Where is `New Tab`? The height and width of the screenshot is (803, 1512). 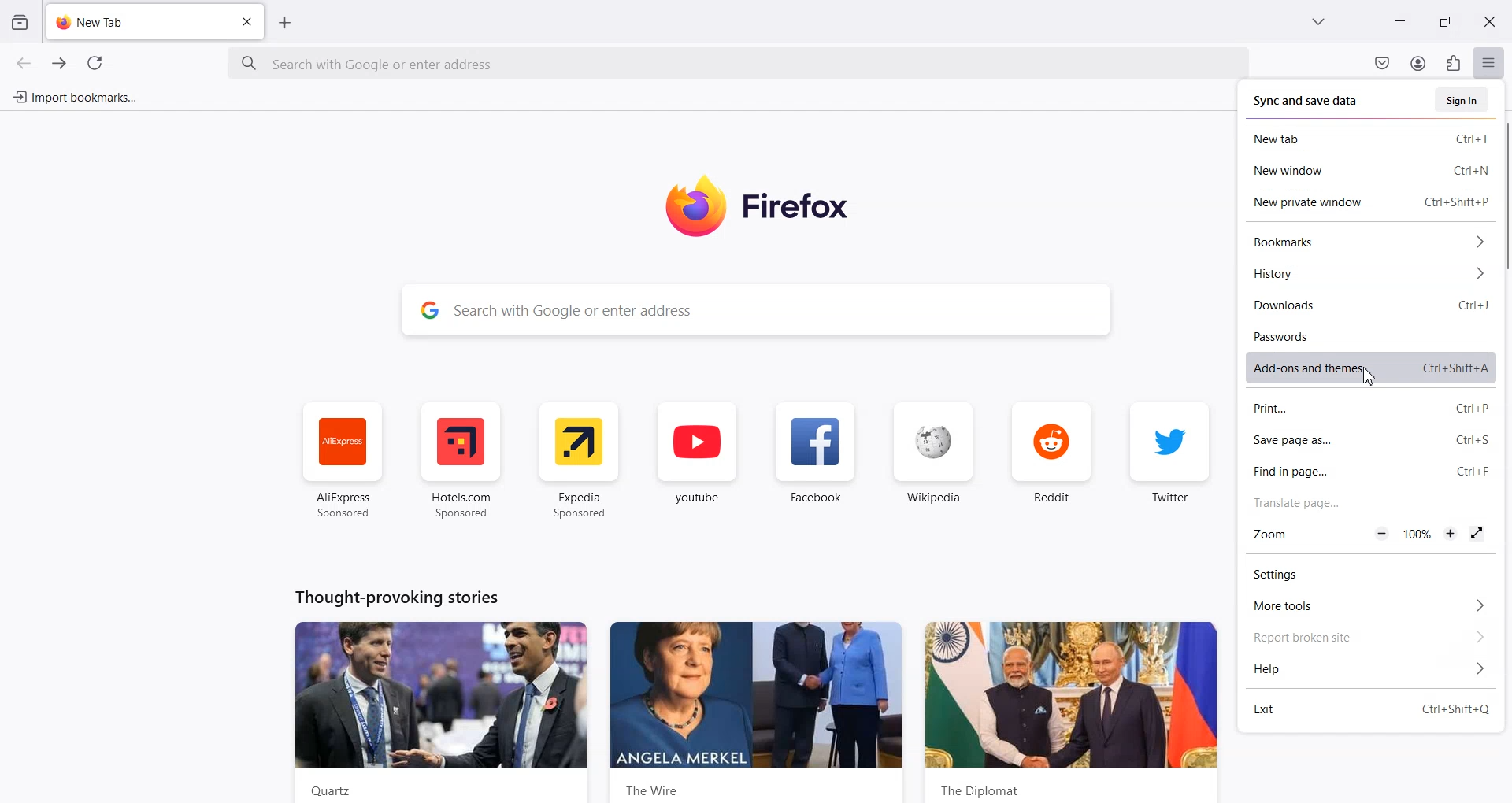
New Tab is located at coordinates (140, 18).